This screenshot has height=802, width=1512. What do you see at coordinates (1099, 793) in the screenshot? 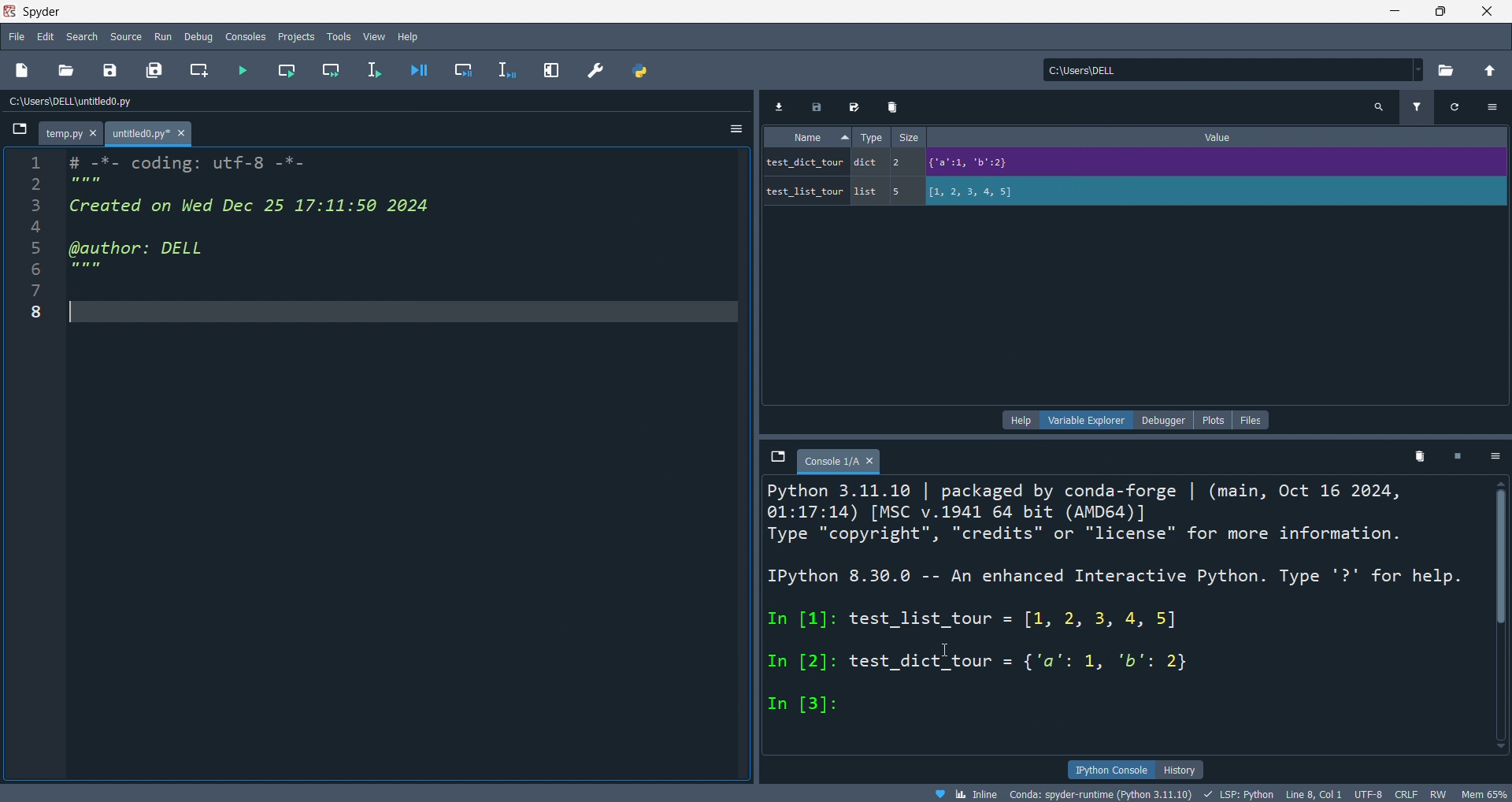
I see `Conda: spyder-runtime (Python 3.11.10)` at bounding box center [1099, 793].